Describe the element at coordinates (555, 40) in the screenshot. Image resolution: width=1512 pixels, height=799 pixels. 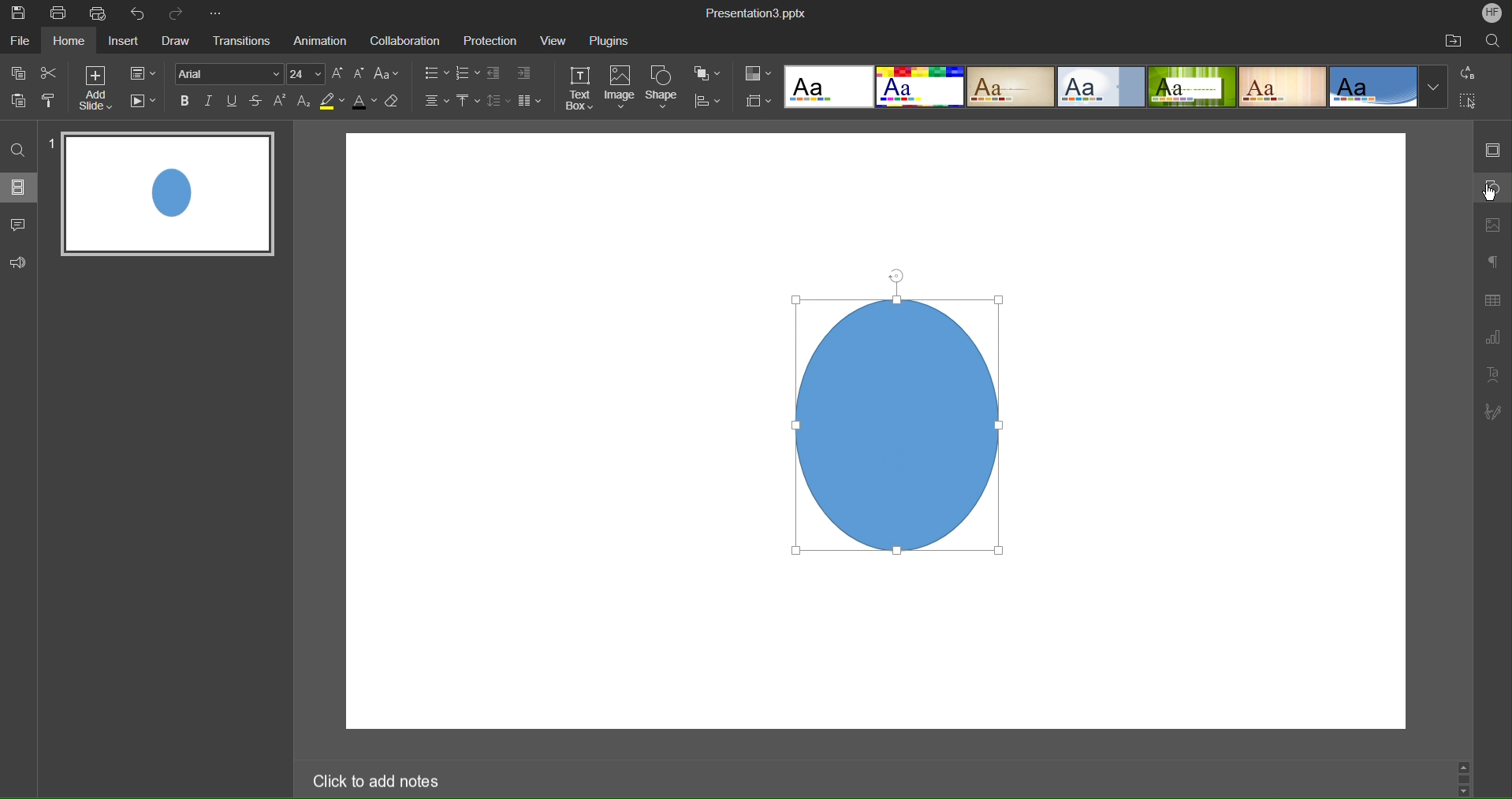
I see `View` at that location.